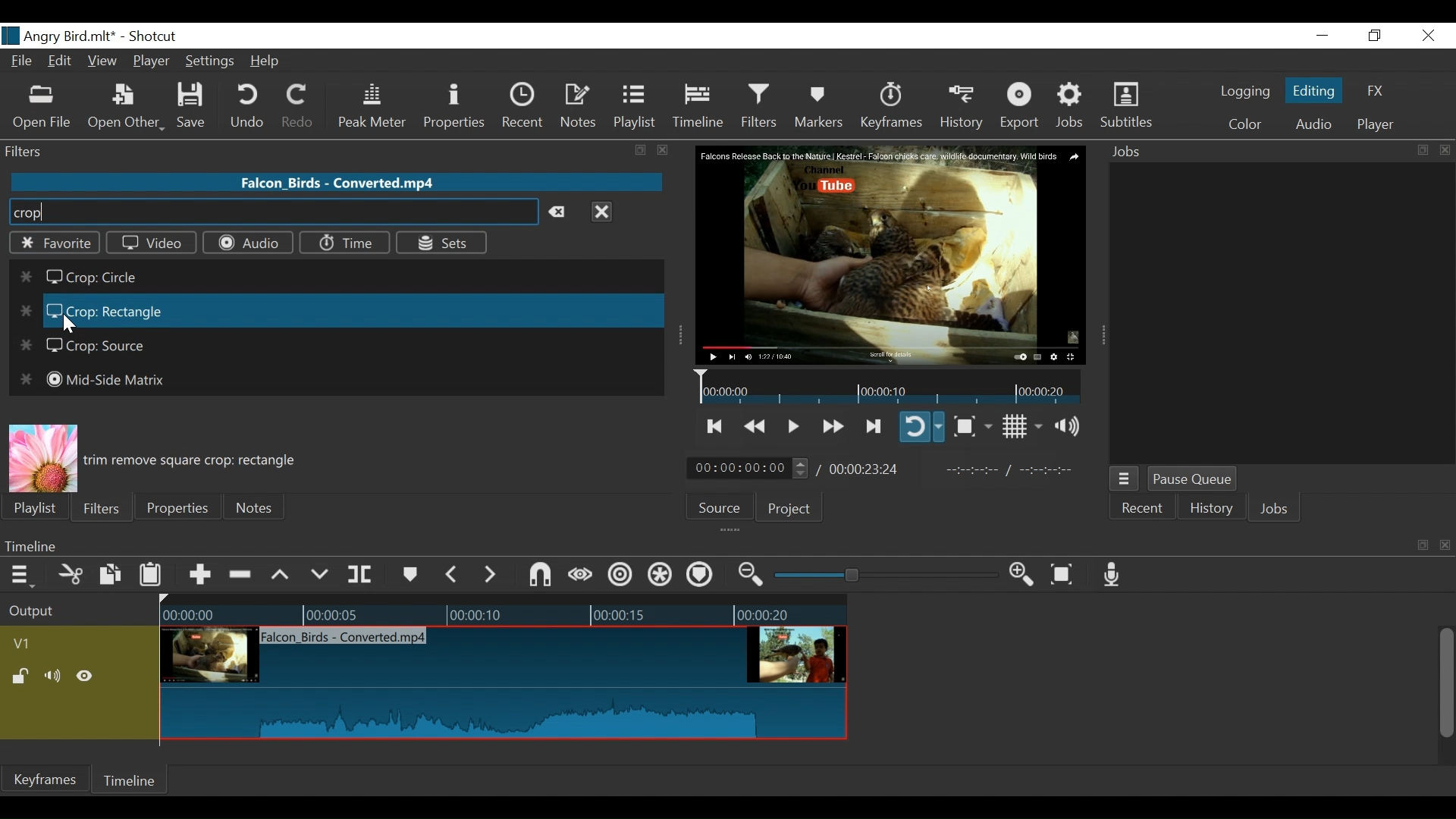  I want to click on Zoom timeline to fit, so click(1068, 573).